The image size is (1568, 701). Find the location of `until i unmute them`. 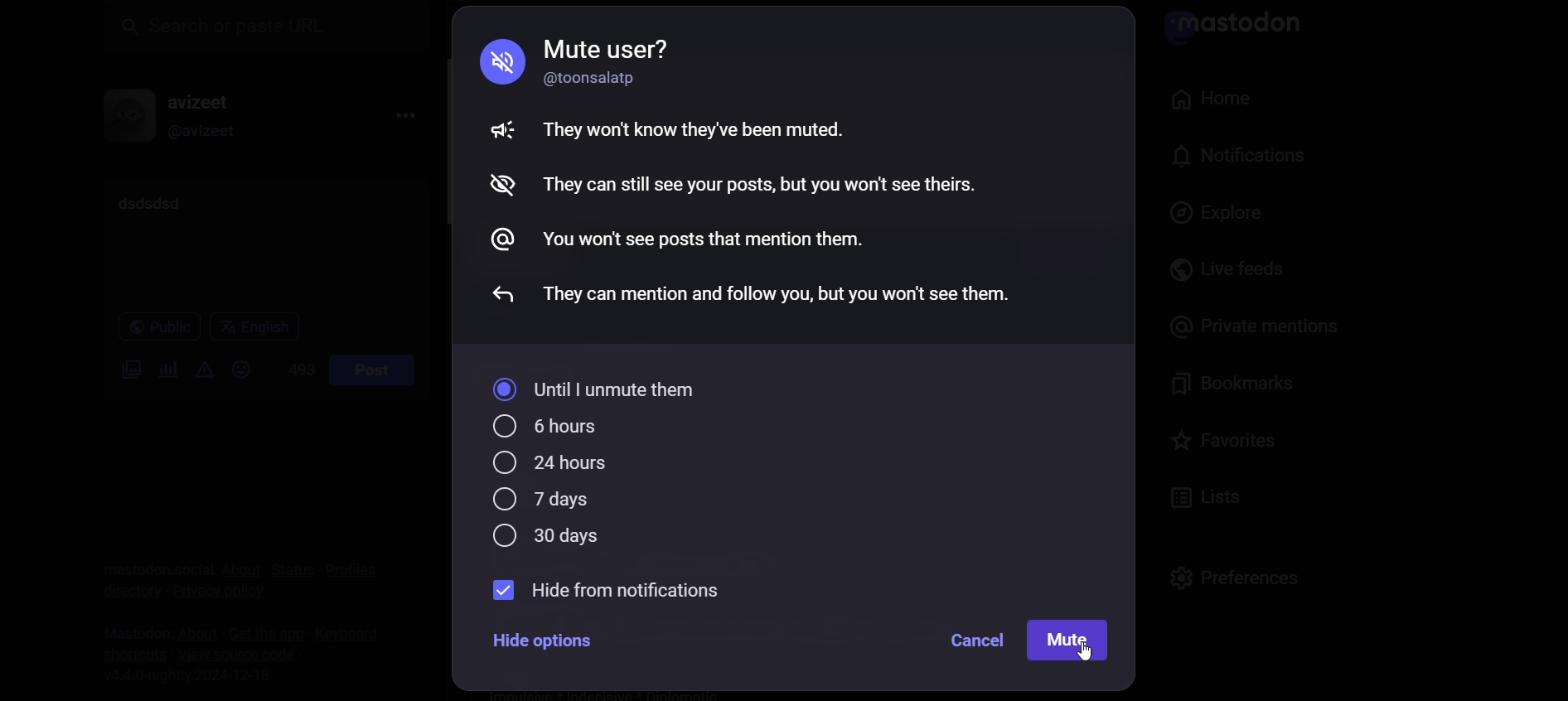

until i unmute them is located at coordinates (608, 389).